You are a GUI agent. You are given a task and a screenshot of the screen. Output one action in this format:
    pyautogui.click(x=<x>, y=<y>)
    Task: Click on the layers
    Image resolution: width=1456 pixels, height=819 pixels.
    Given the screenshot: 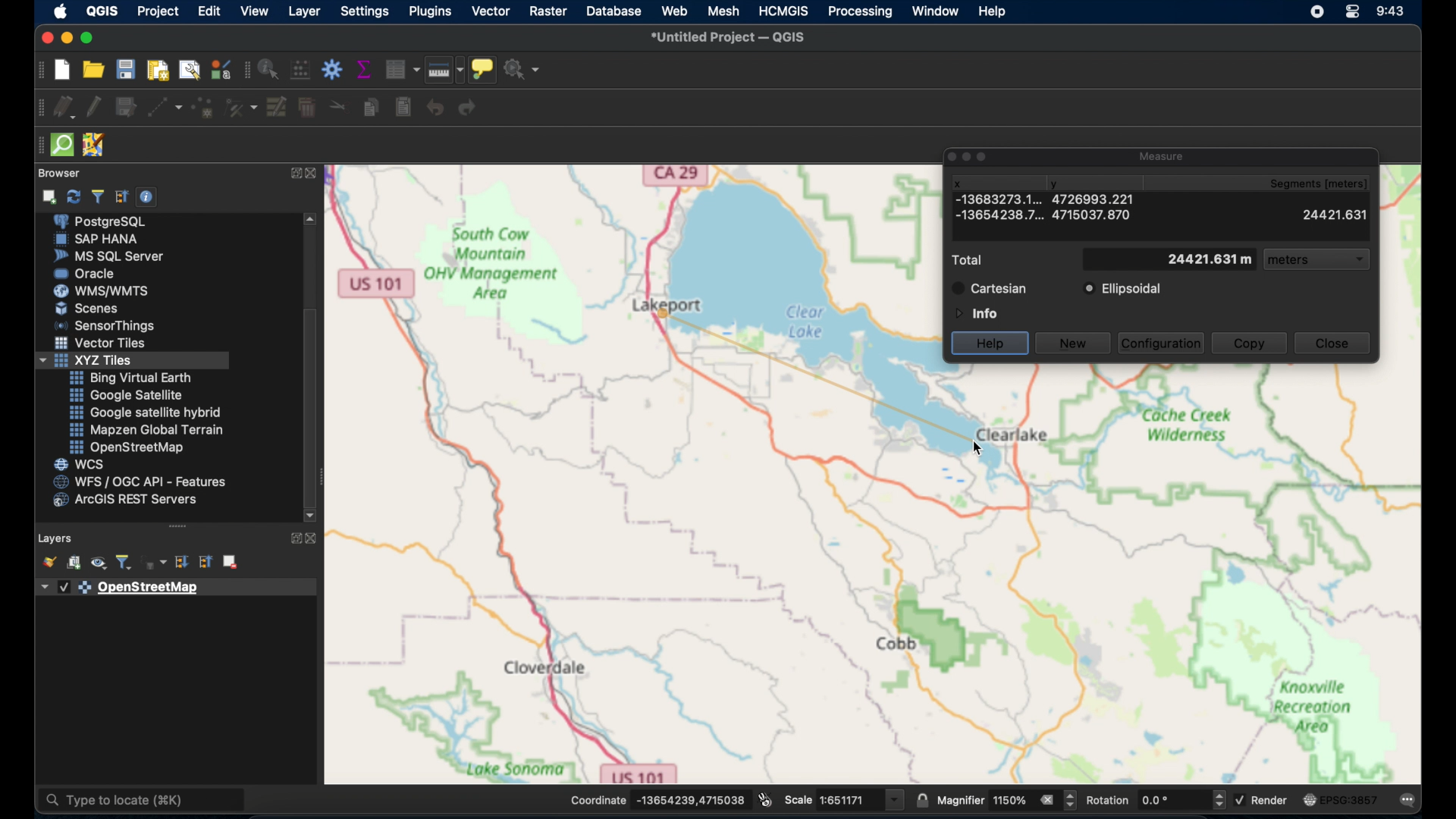 What is the action you would take?
    pyautogui.click(x=55, y=536)
    